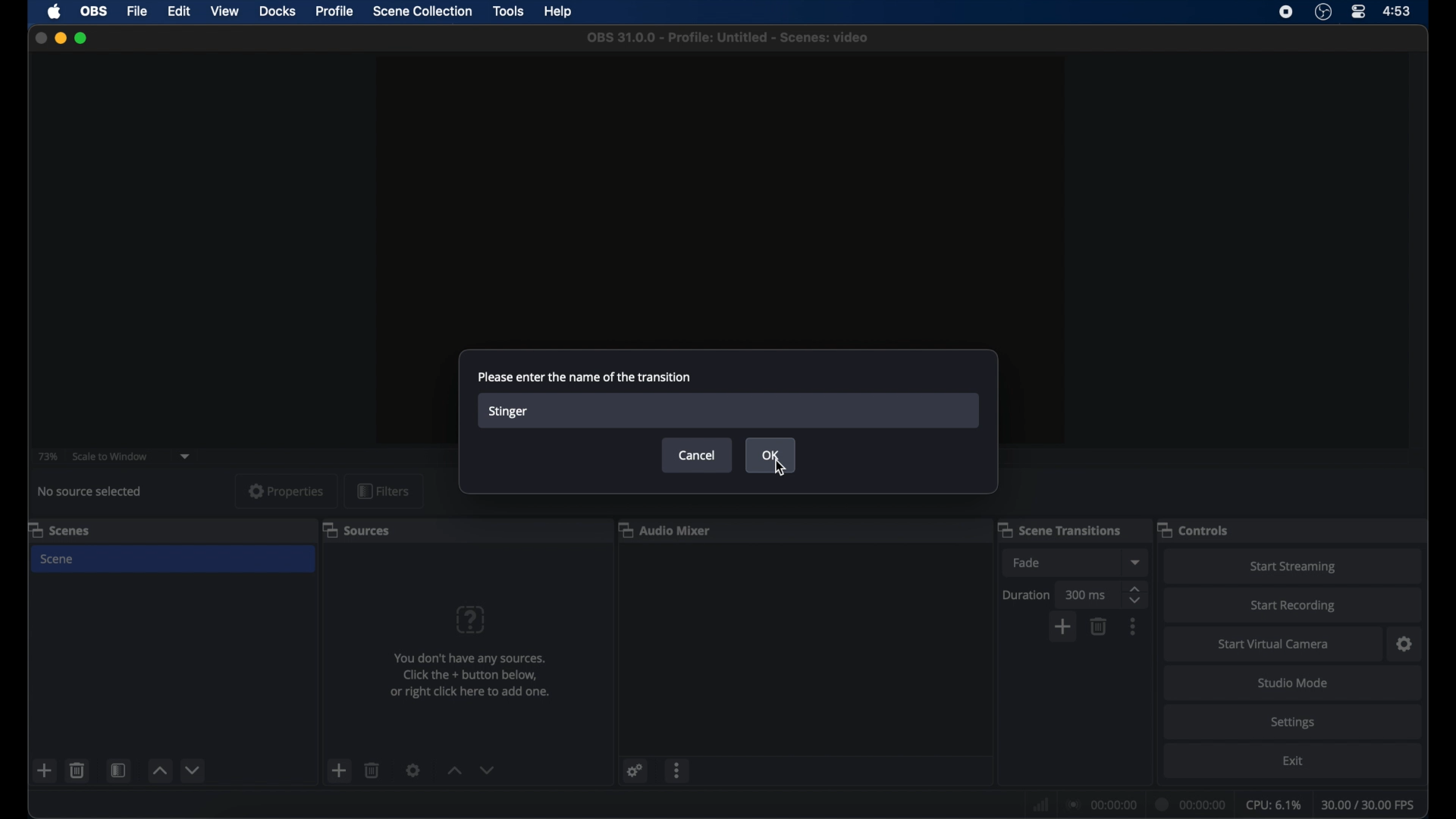 The image size is (1456, 819). I want to click on control center, so click(1359, 12).